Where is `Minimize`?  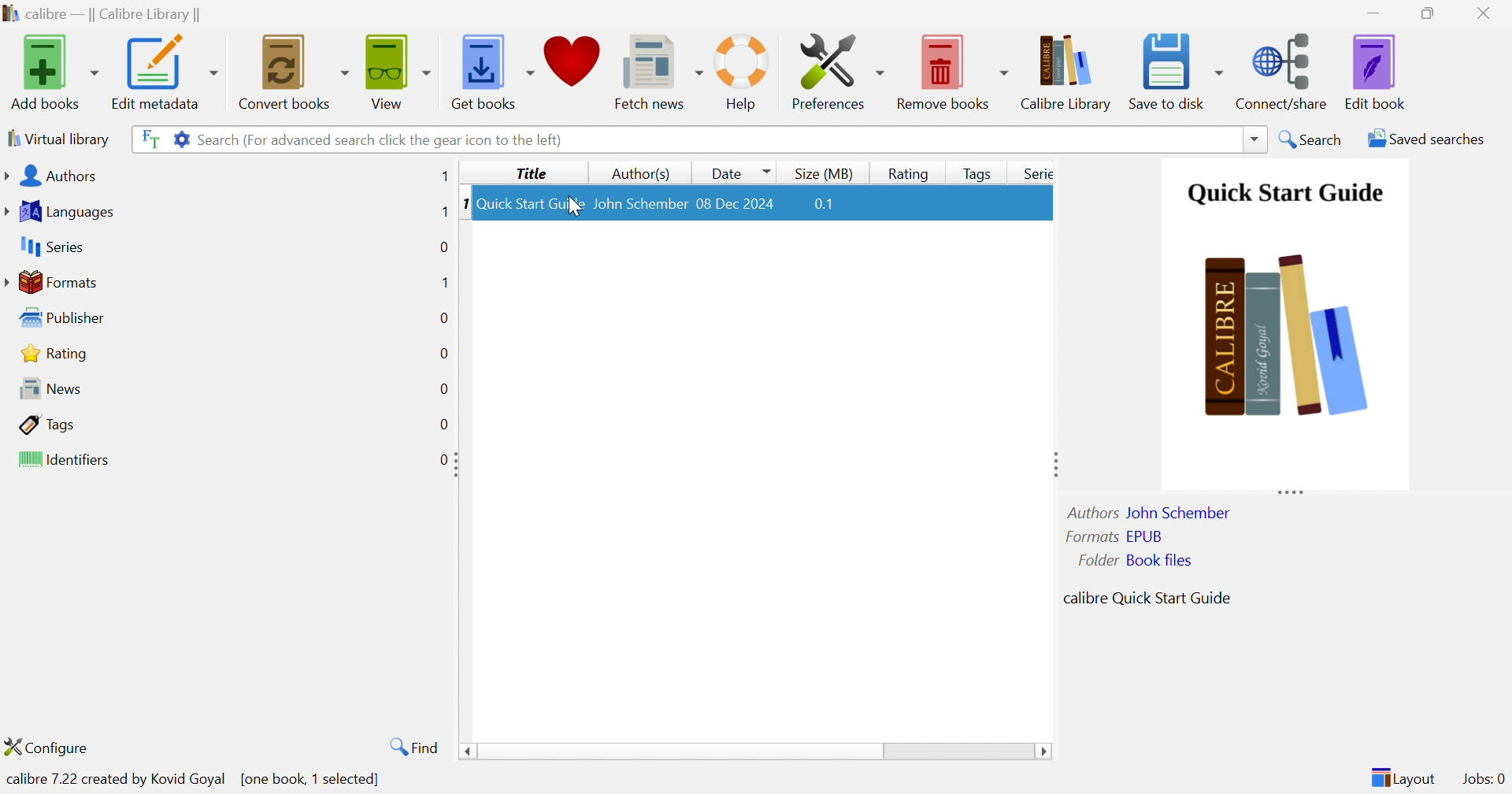
Minimize is located at coordinates (1377, 11).